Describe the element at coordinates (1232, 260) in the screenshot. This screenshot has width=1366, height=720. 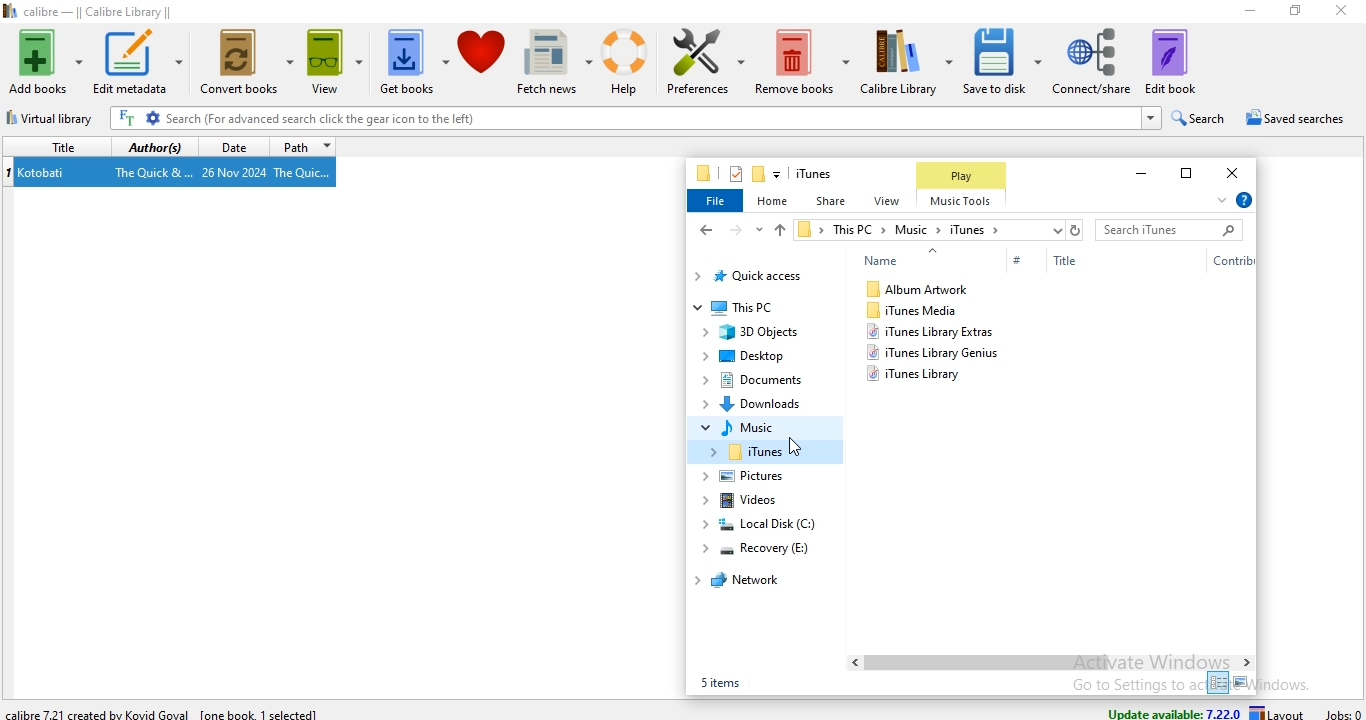
I see `Contribution` at that location.